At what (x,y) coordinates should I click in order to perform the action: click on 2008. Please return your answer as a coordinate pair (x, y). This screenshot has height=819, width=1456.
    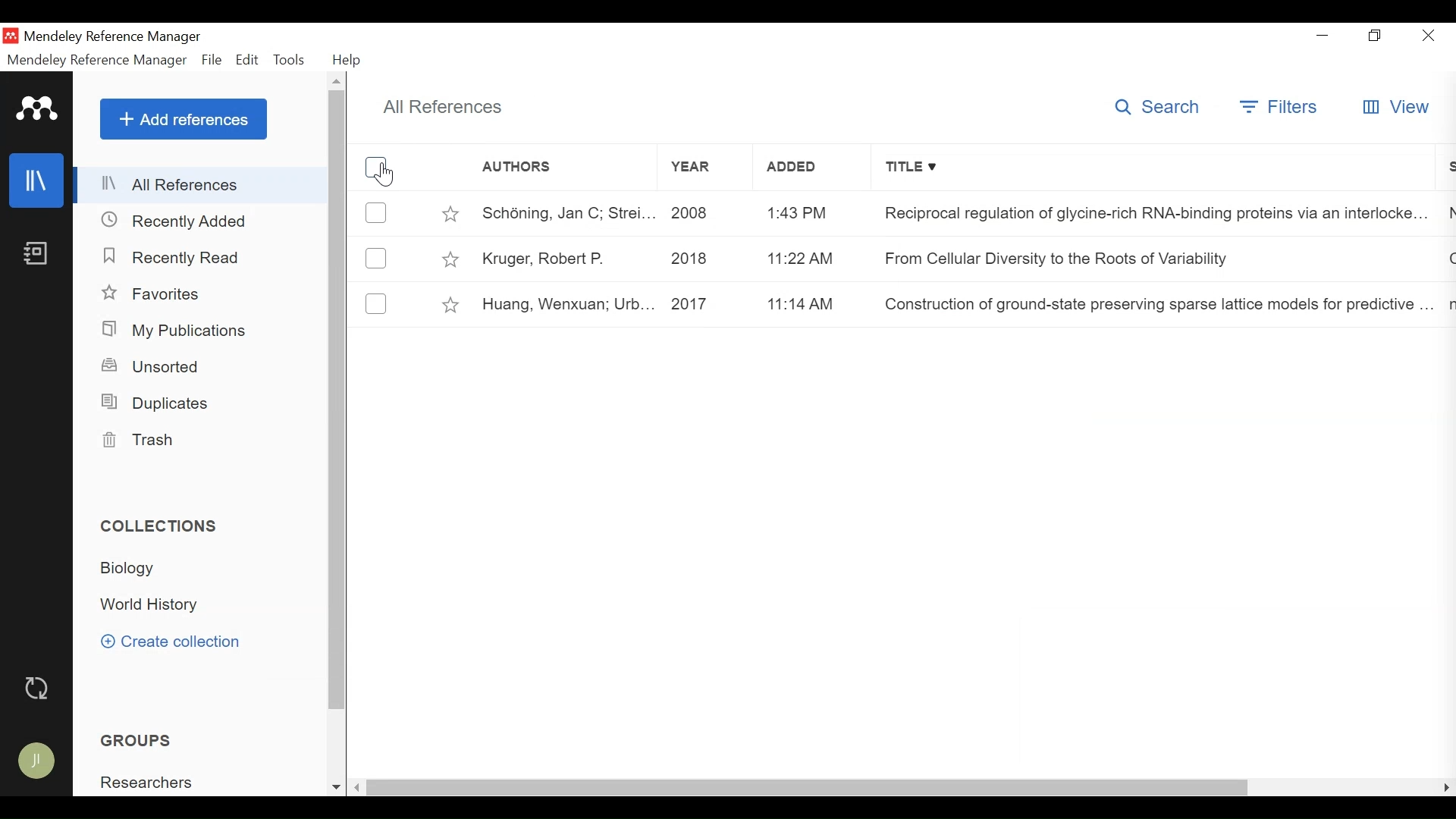
    Looking at the image, I should click on (703, 212).